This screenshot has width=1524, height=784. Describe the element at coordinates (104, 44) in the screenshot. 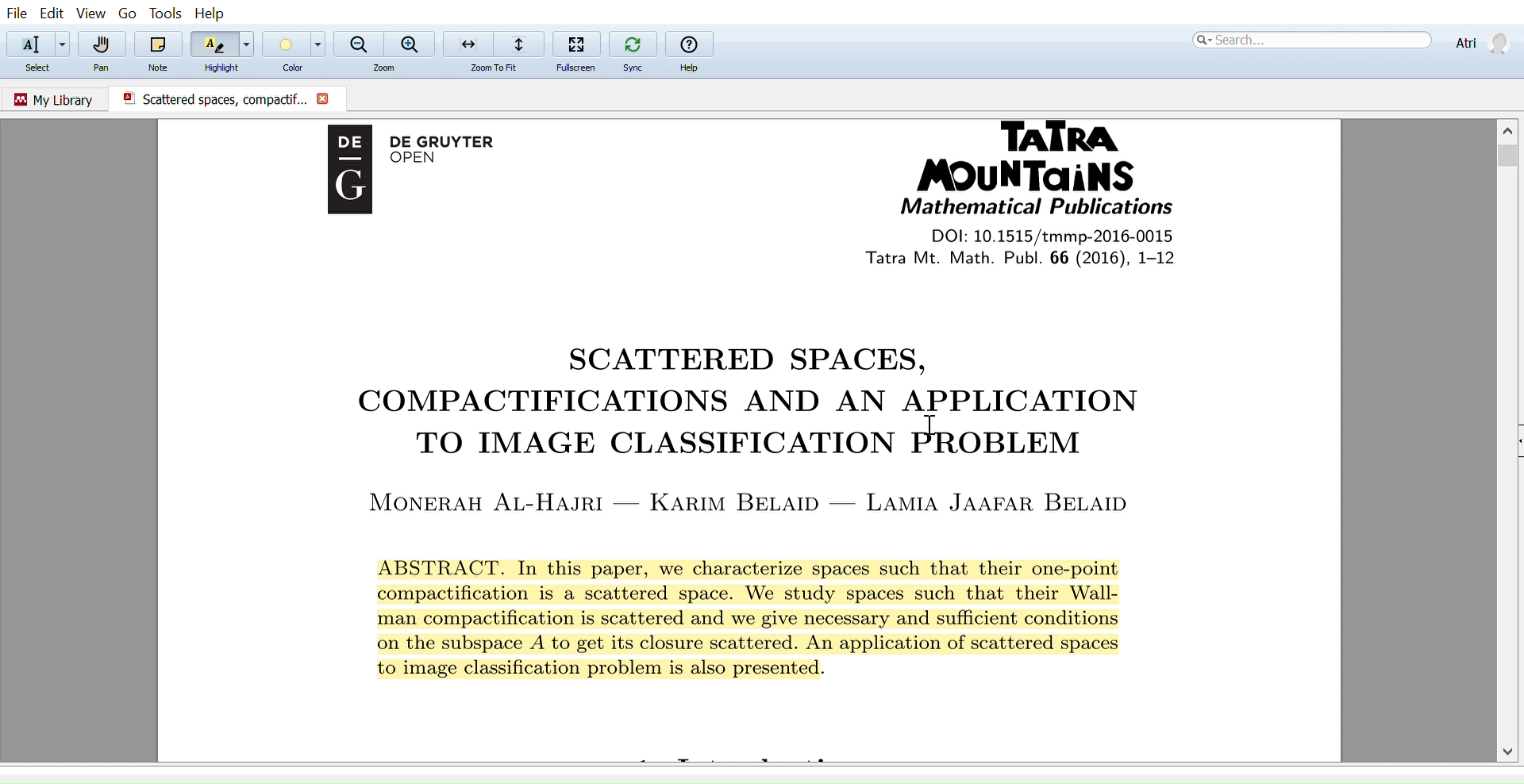

I see `Pan` at that location.